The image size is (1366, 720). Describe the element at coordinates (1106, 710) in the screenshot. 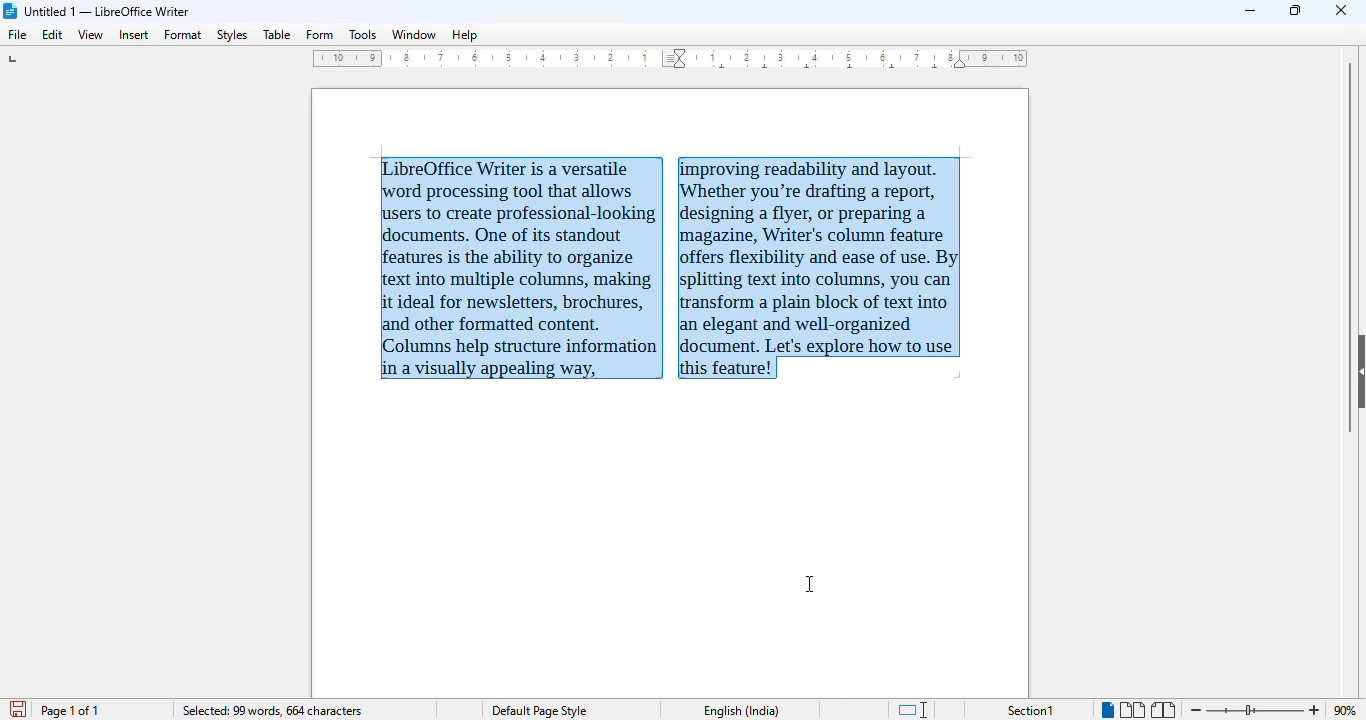

I see `single-page view` at that location.